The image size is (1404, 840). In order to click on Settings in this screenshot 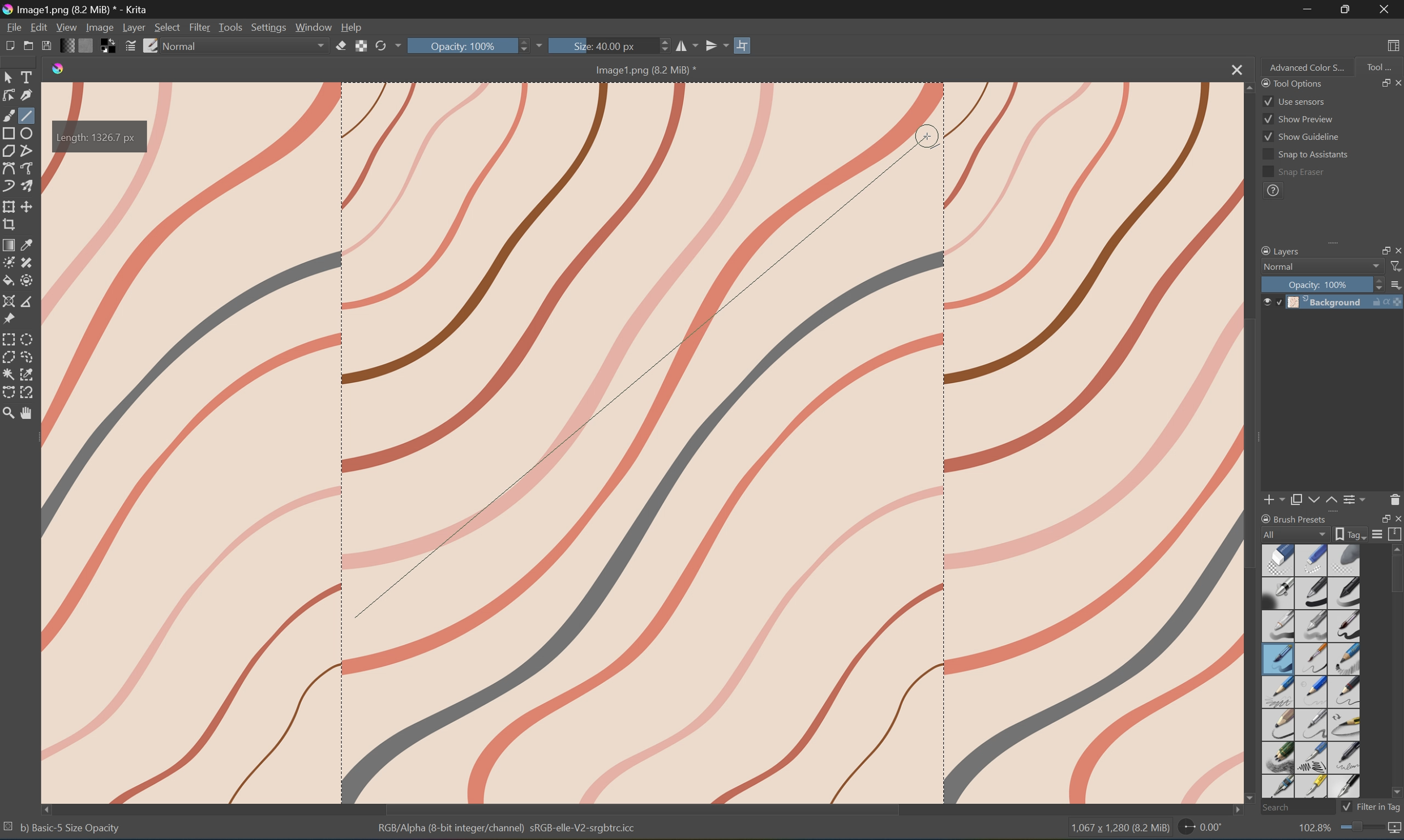, I will do `click(268, 27)`.